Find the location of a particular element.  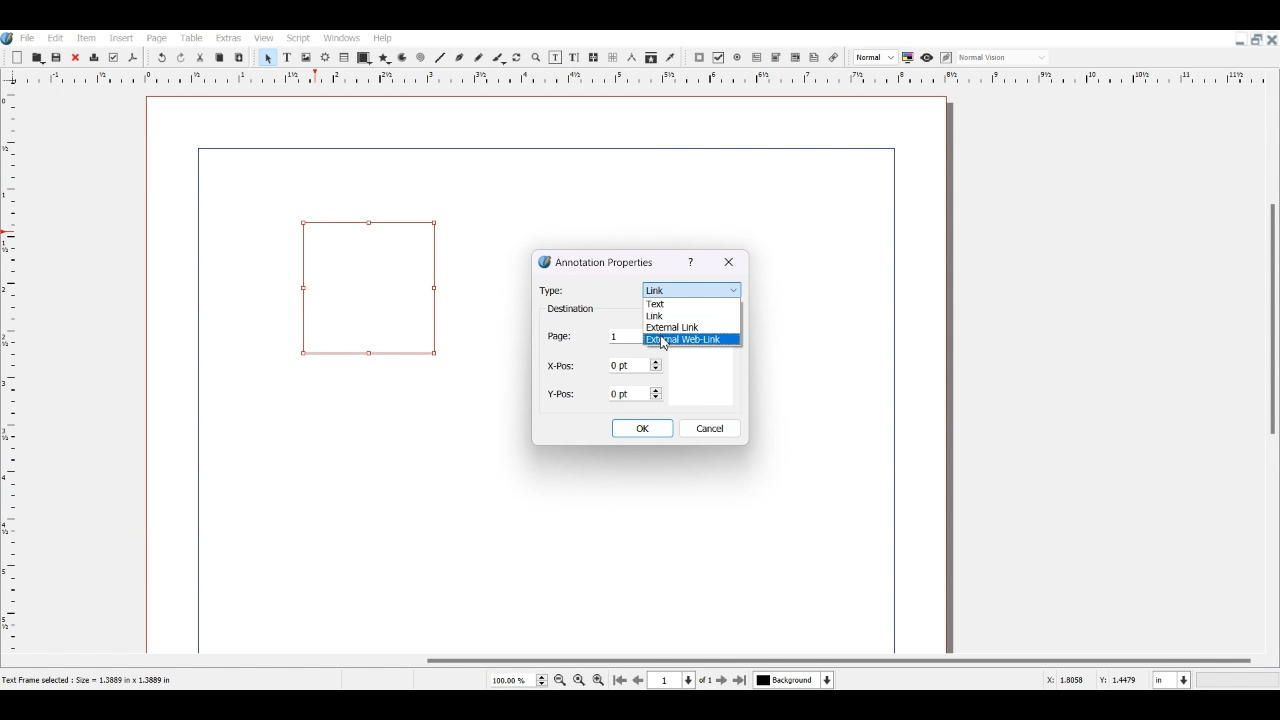

Undo is located at coordinates (161, 58).